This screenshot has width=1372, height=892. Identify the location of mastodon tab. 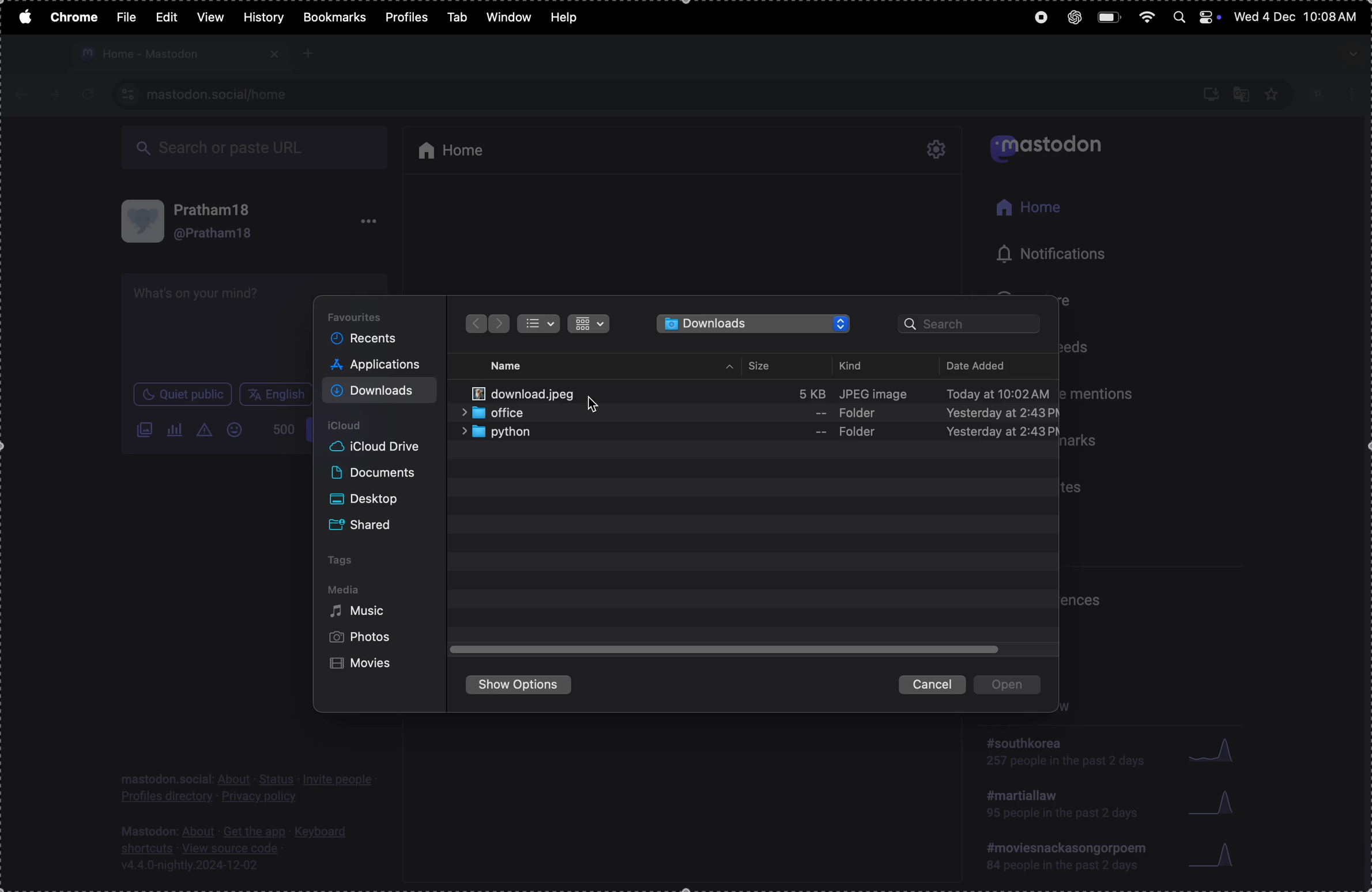
(178, 54).